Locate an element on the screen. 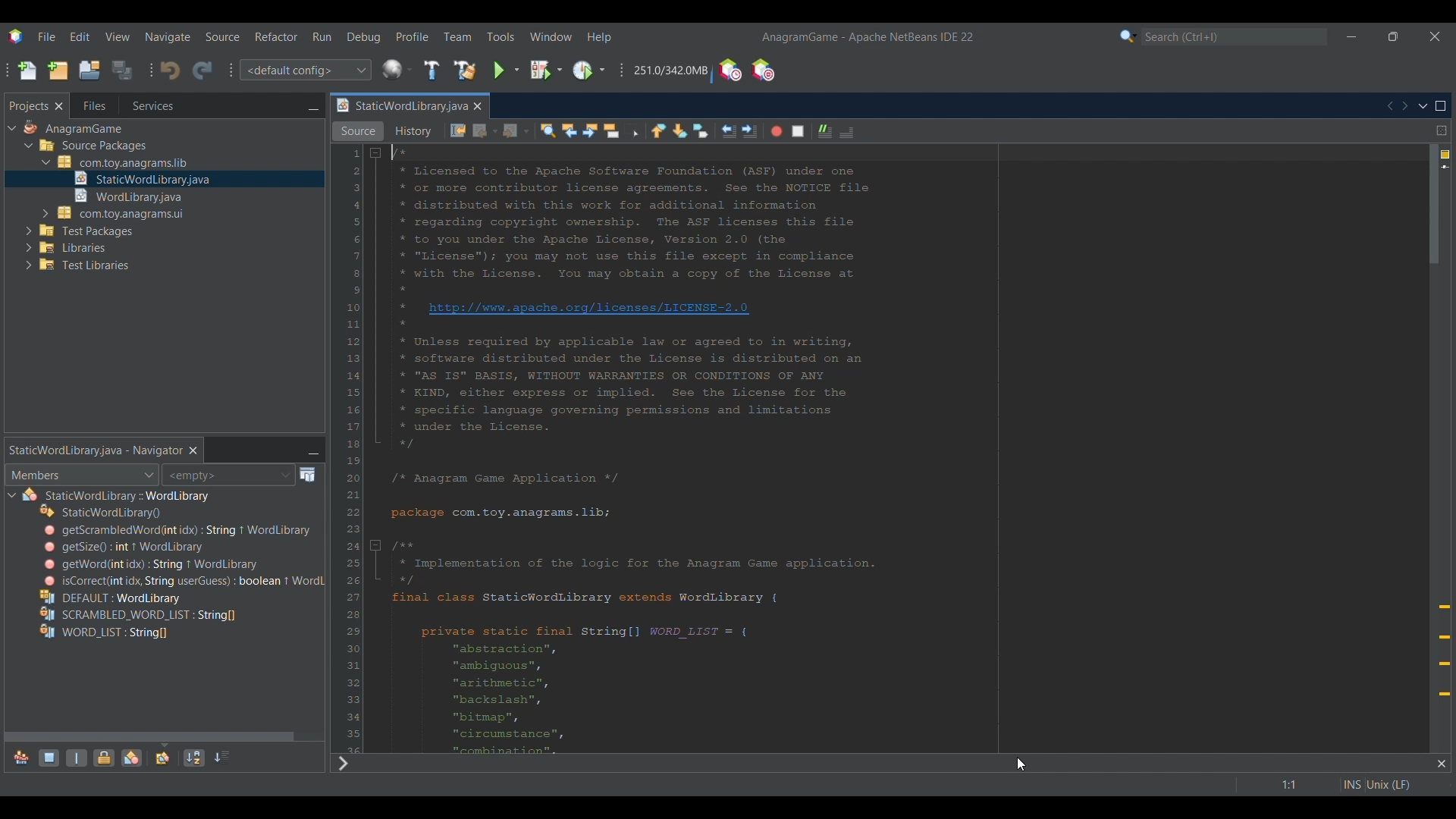 The height and width of the screenshot is (819, 1456).  is located at coordinates (104, 634).